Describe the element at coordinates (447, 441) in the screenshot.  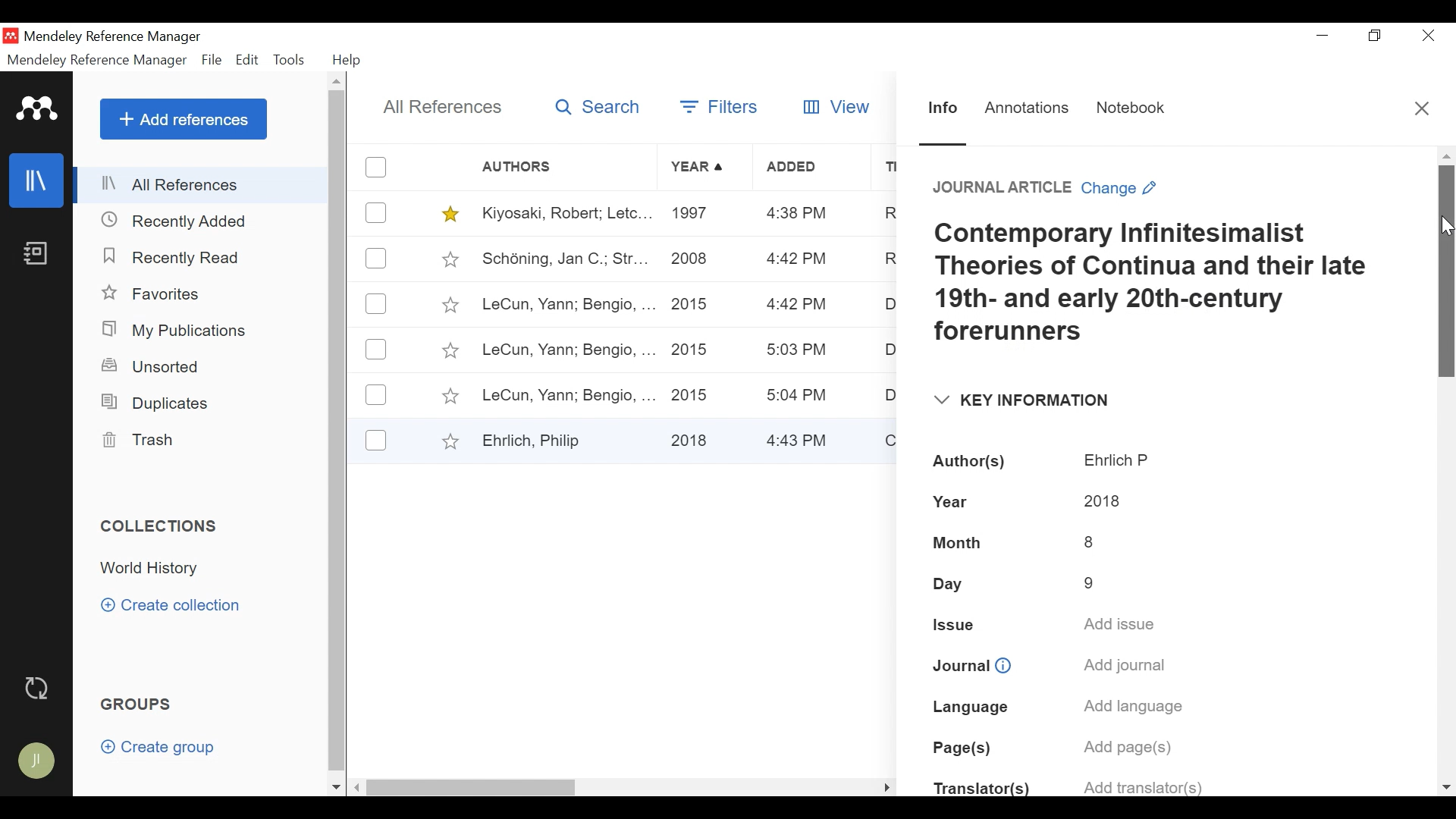
I see `(un)select favorite` at that location.